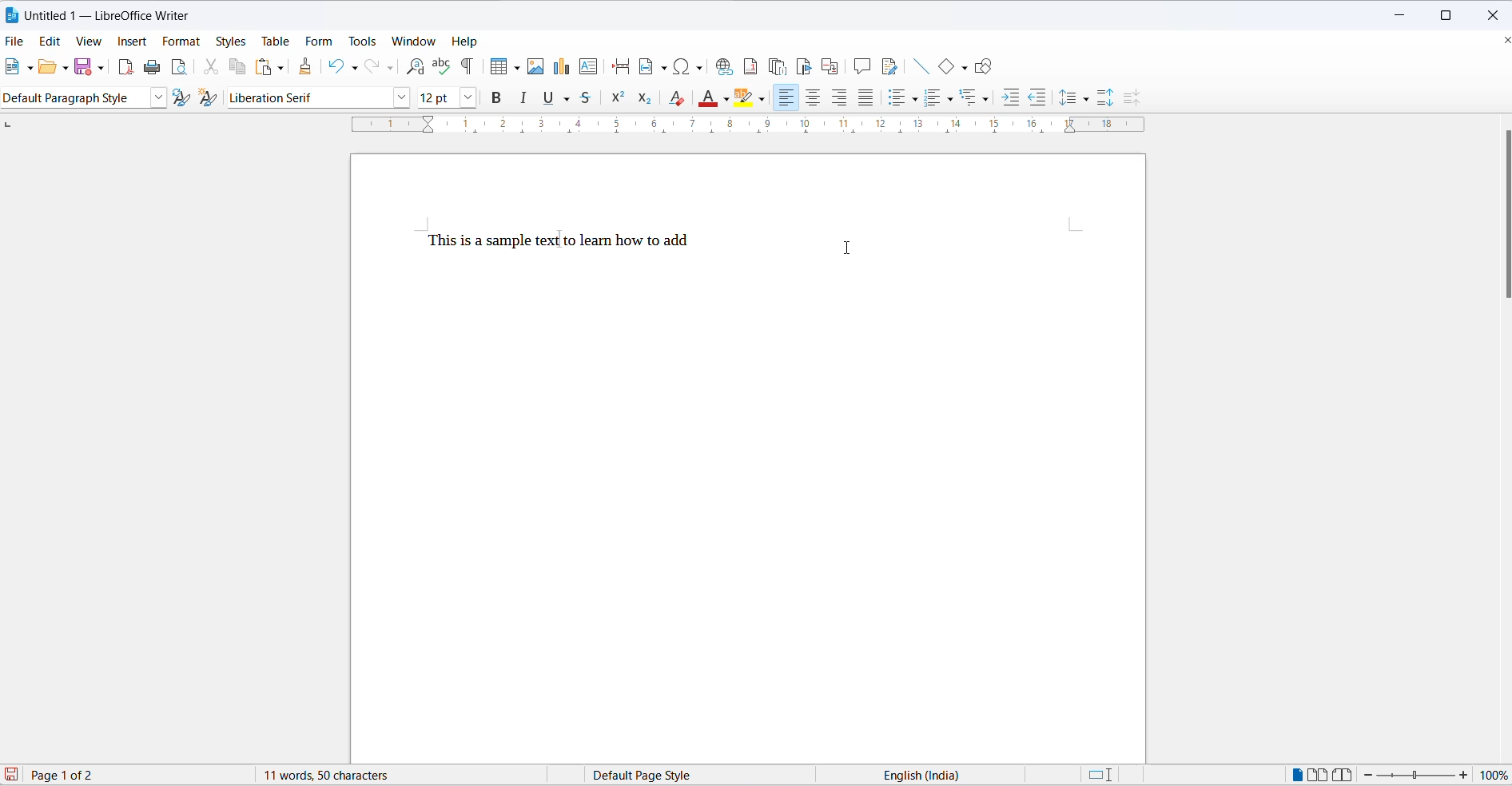  What do you see at coordinates (906, 97) in the screenshot?
I see `toggle unordered list option` at bounding box center [906, 97].